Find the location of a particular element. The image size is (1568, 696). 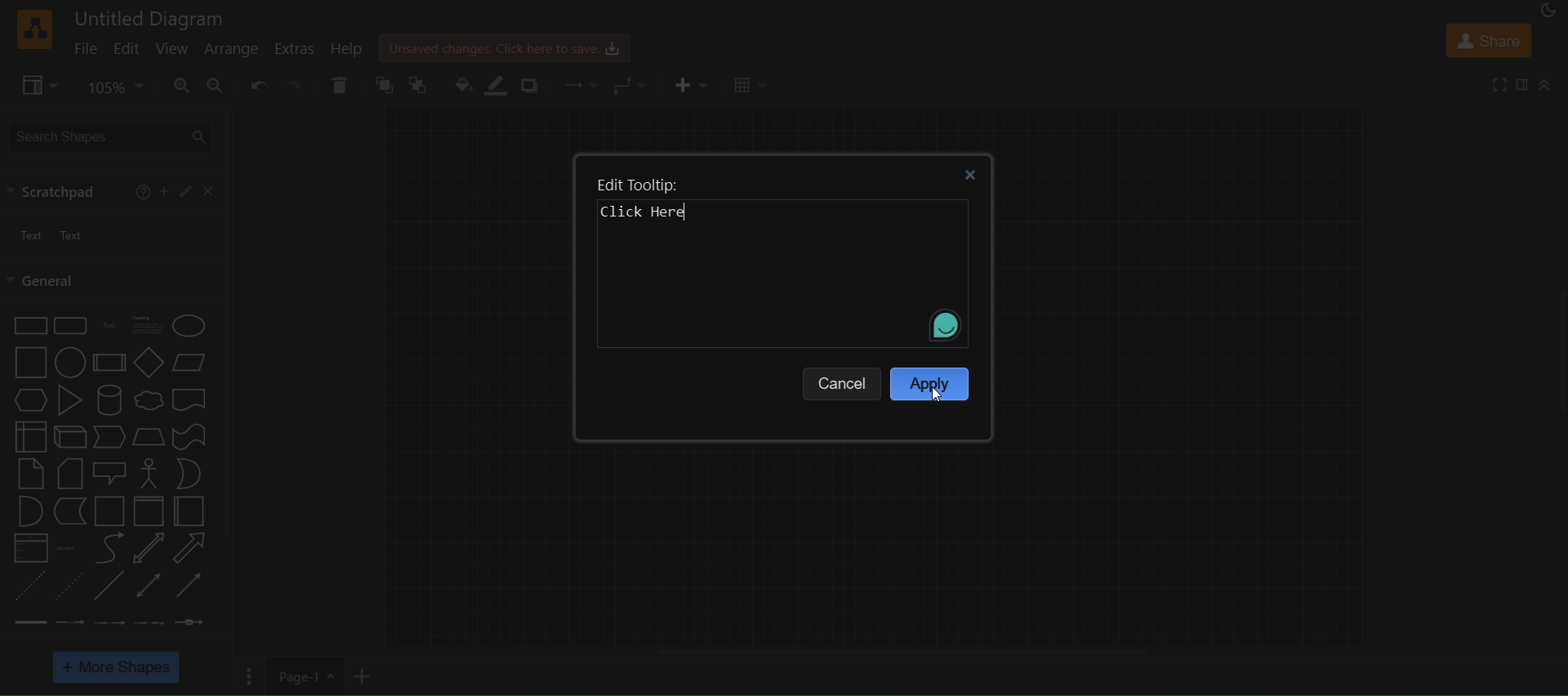

collapase/expand is located at coordinates (1545, 84).